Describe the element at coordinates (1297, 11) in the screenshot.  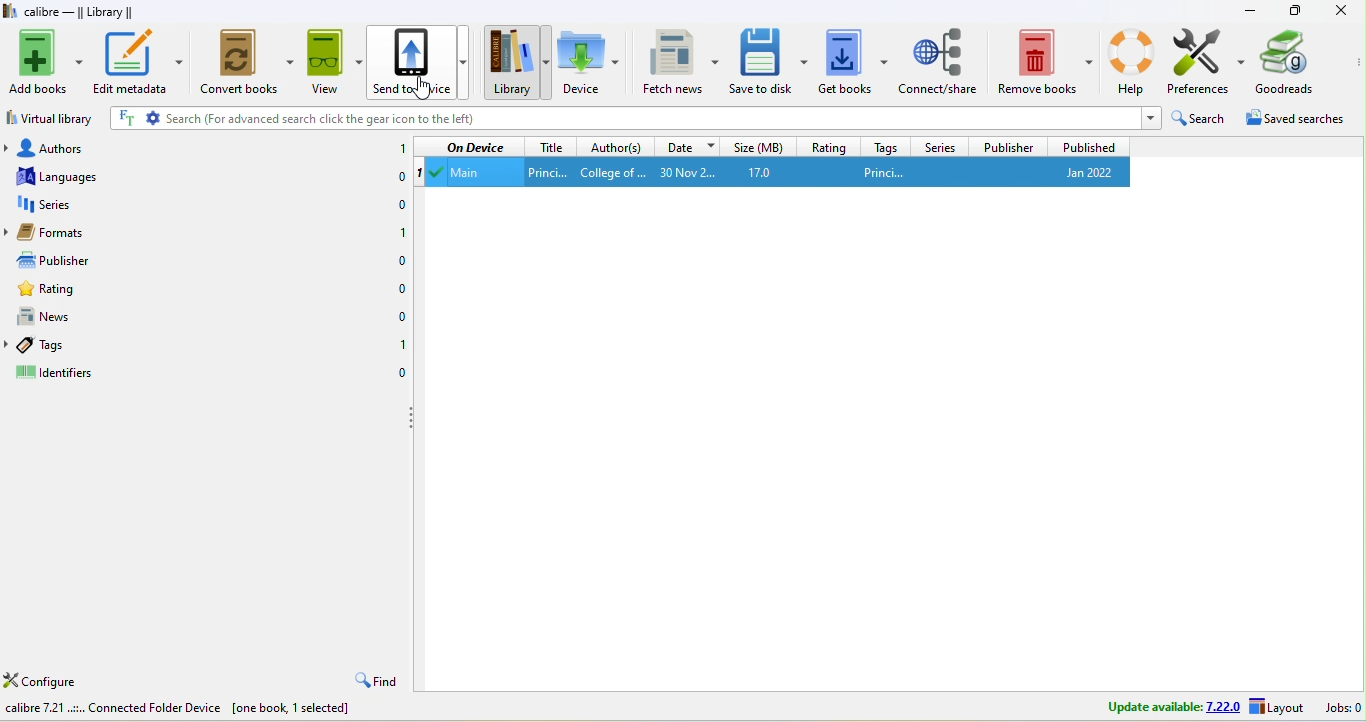
I see `maximize` at that location.